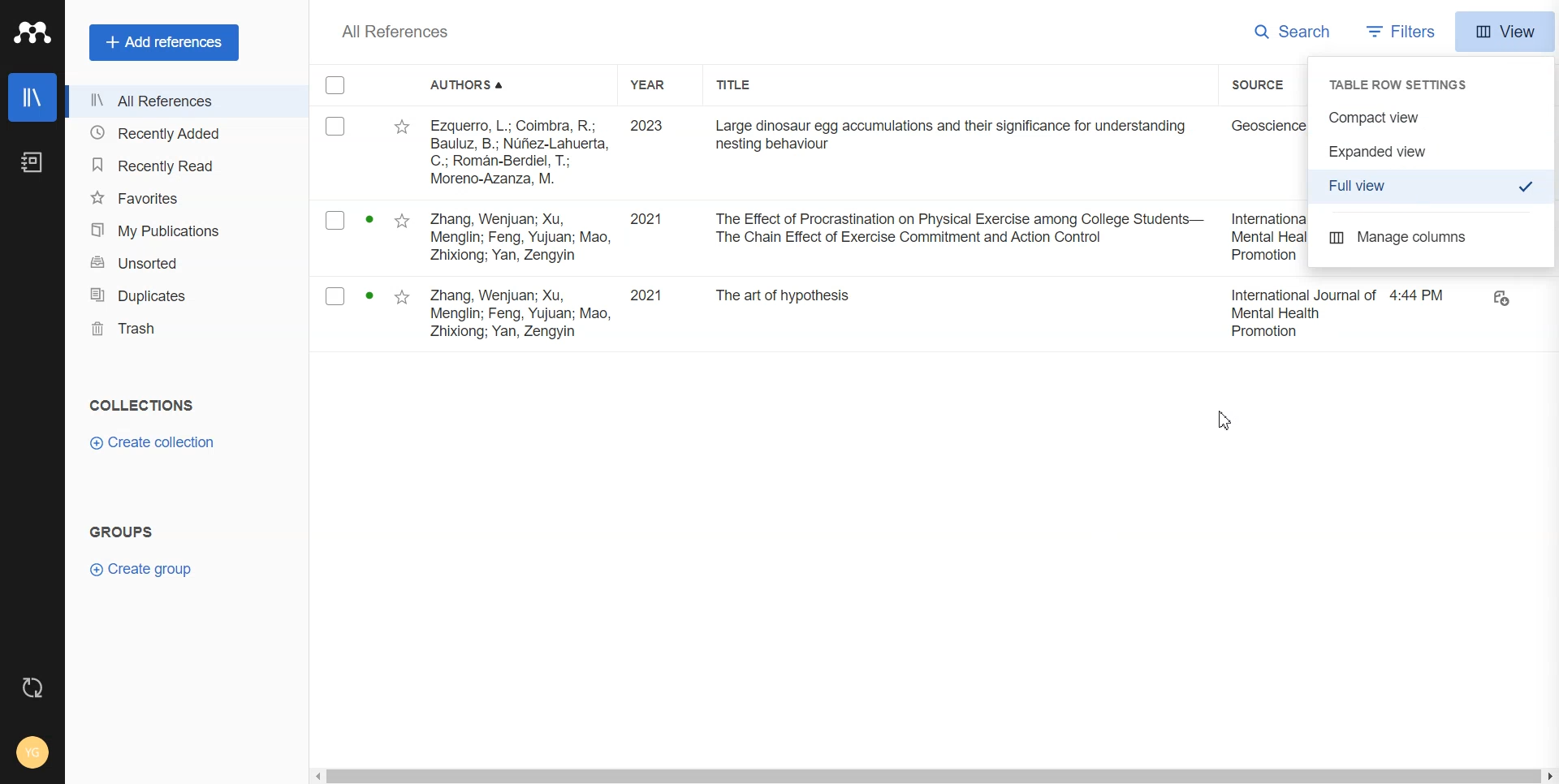 This screenshot has width=1559, height=784. What do you see at coordinates (1225, 420) in the screenshot?
I see `Cursor` at bounding box center [1225, 420].